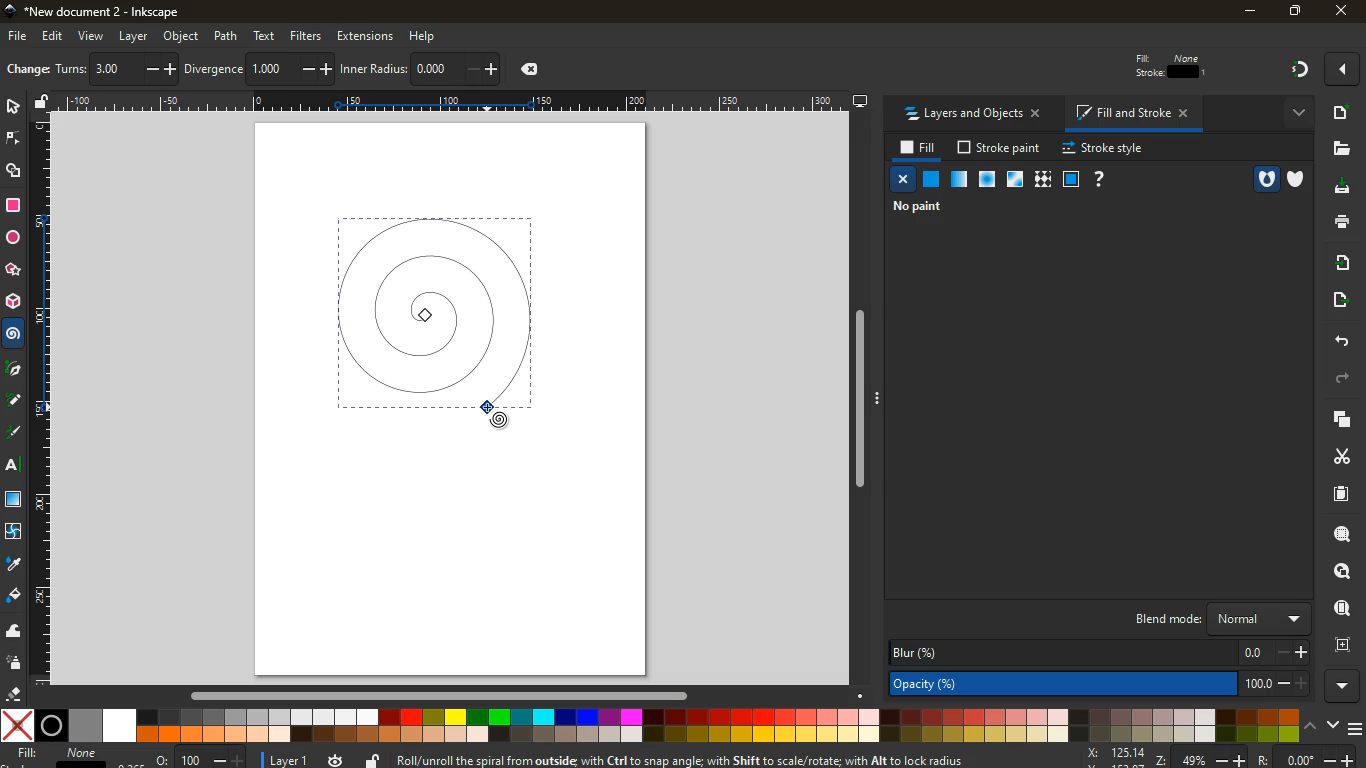 The height and width of the screenshot is (768, 1366). Describe the element at coordinates (534, 70) in the screenshot. I see `delete` at that location.